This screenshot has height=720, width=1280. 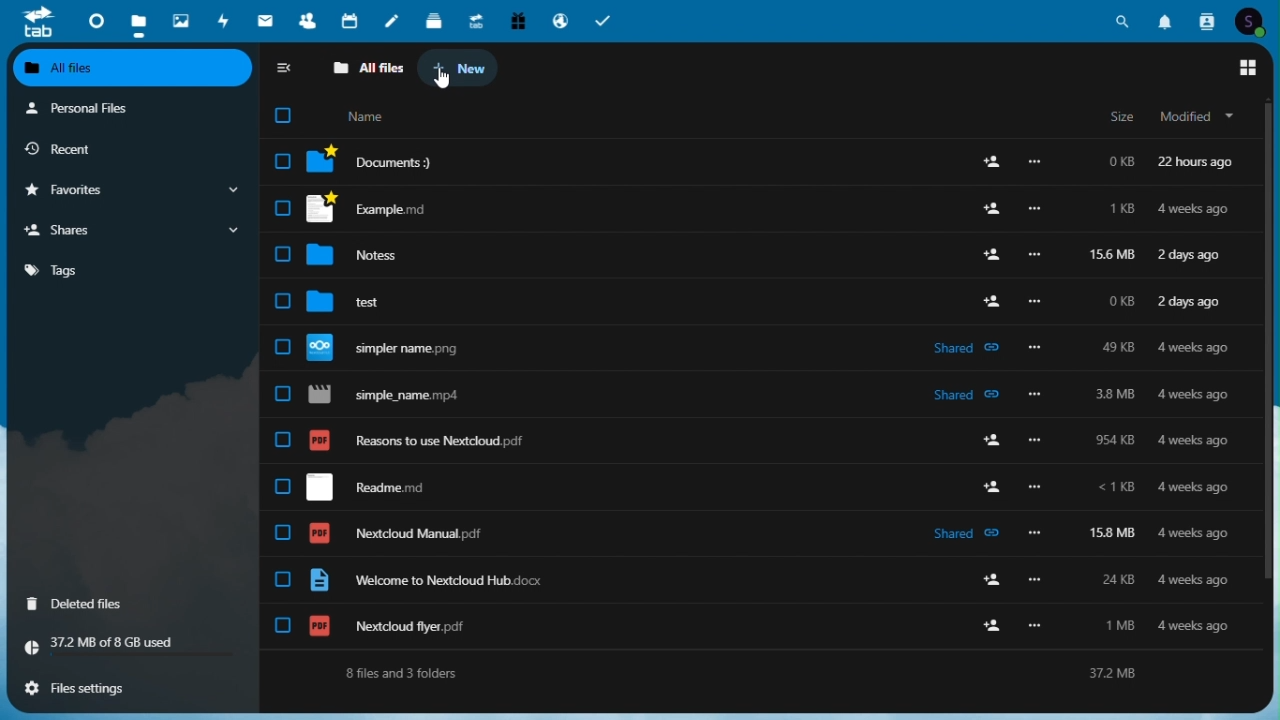 What do you see at coordinates (436, 580) in the screenshot?
I see `welcome to nextcloud hub.docx` at bounding box center [436, 580].